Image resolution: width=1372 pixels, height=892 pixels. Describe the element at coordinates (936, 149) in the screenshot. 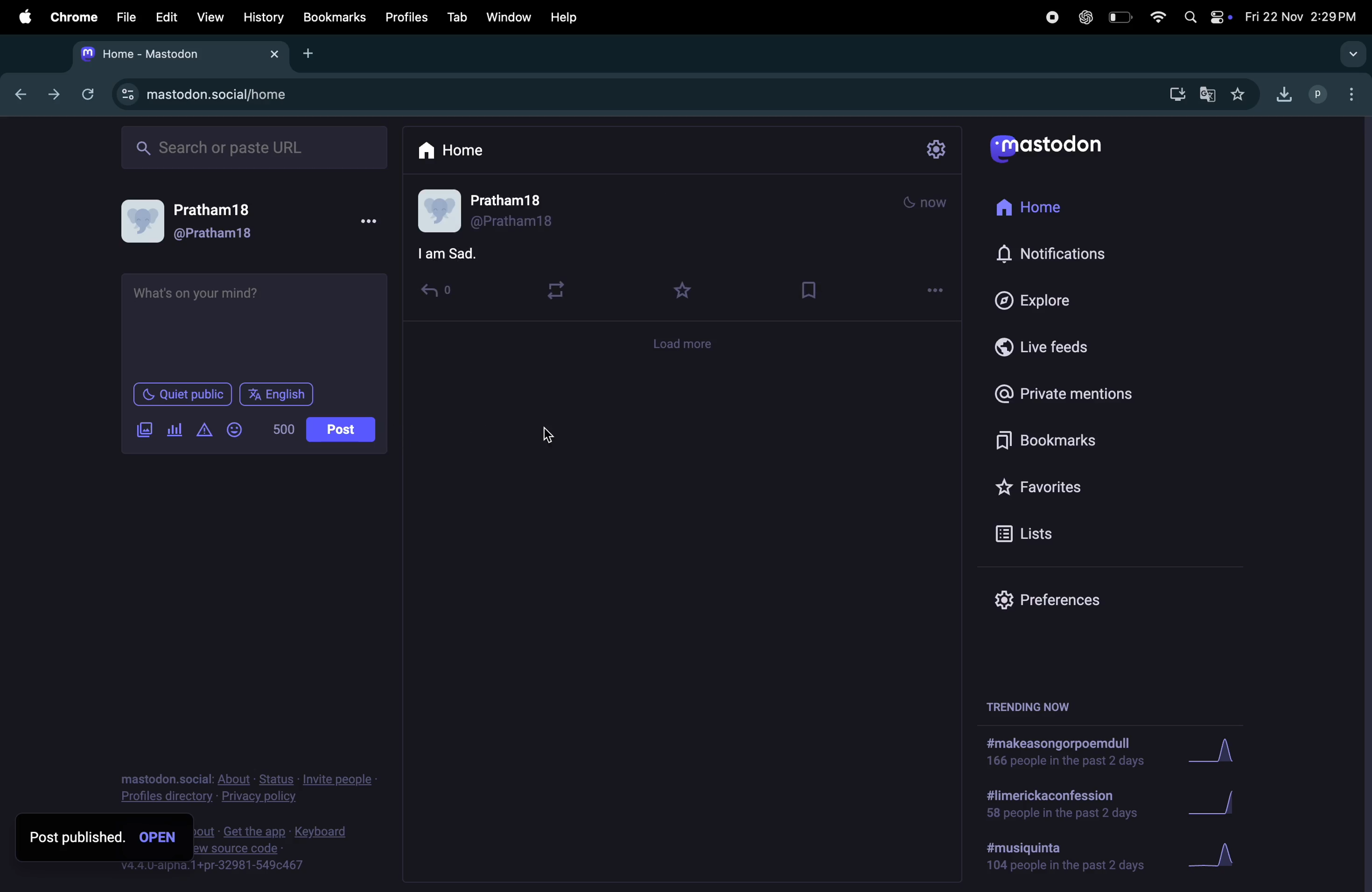

I see `settings` at that location.